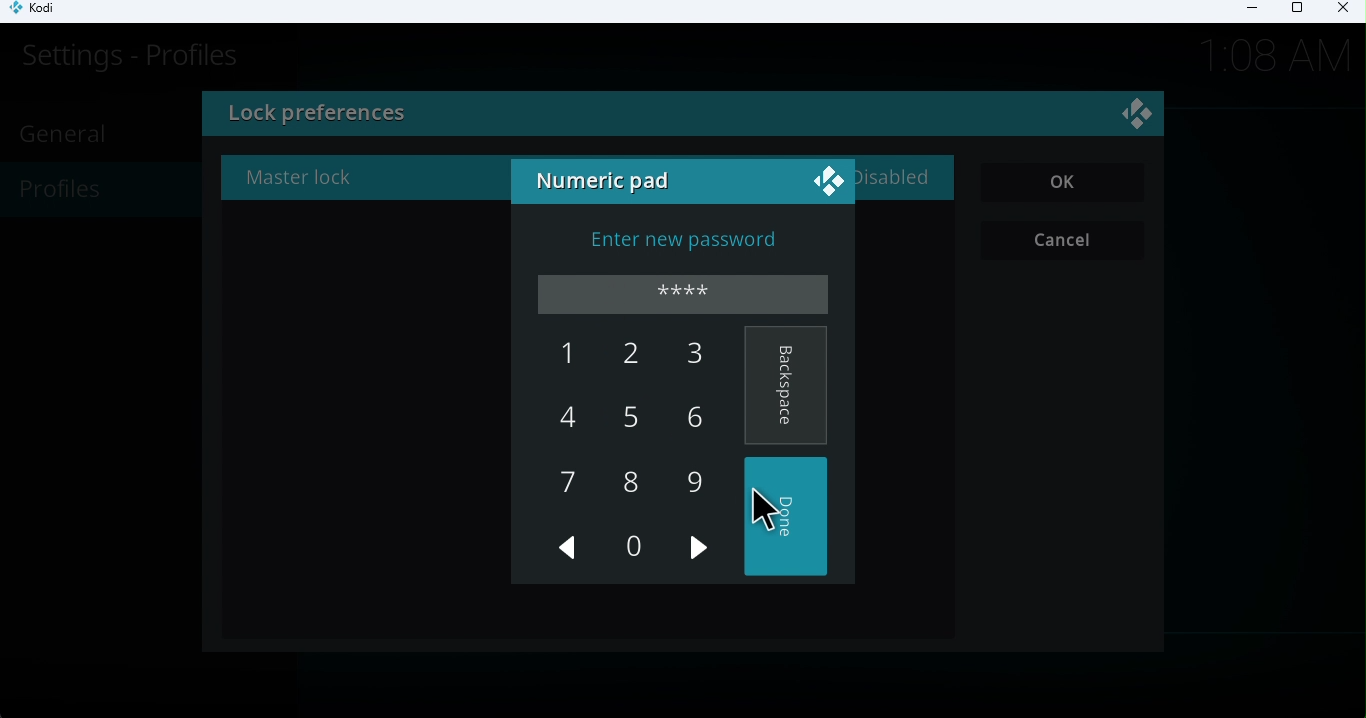 The image size is (1366, 718). Describe the element at coordinates (42, 12) in the screenshot. I see `Kodi icon` at that location.